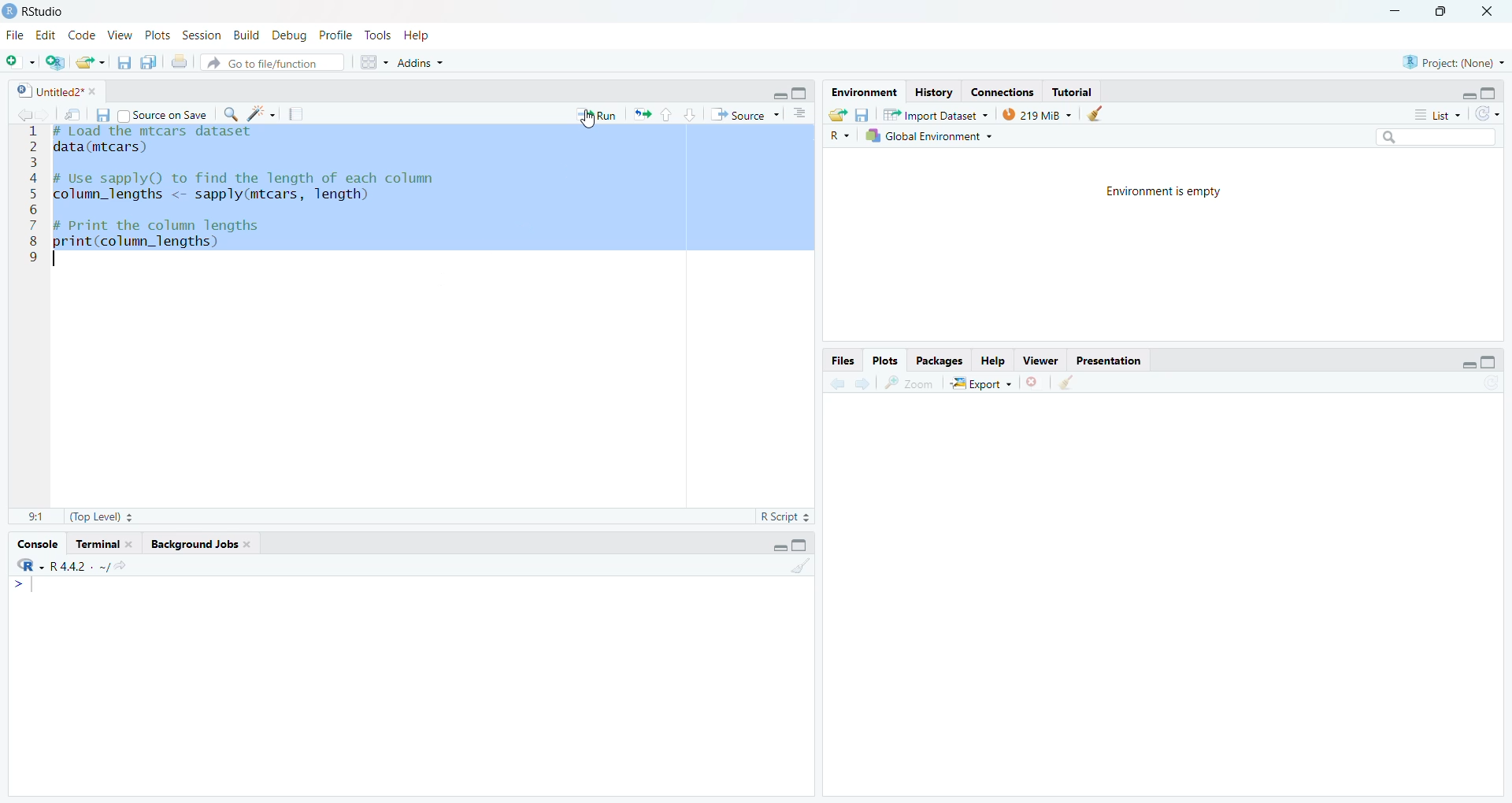 This screenshot has width=1512, height=803. What do you see at coordinates (421, 63) in the screenshot?
I see `Addins ~` at bounding box center [421, 63].